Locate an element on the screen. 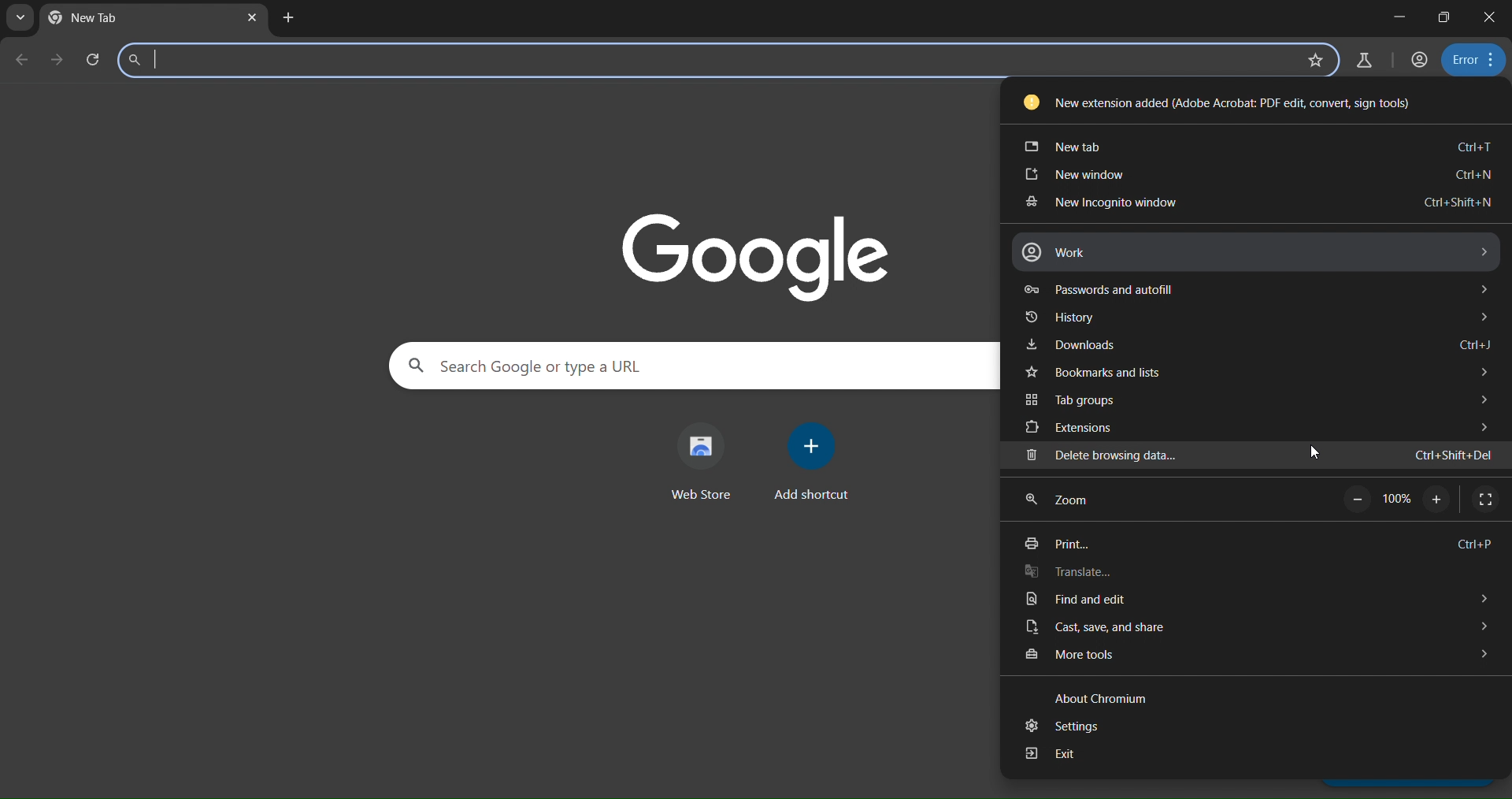  search tabs is located at coordinates (20, 17).